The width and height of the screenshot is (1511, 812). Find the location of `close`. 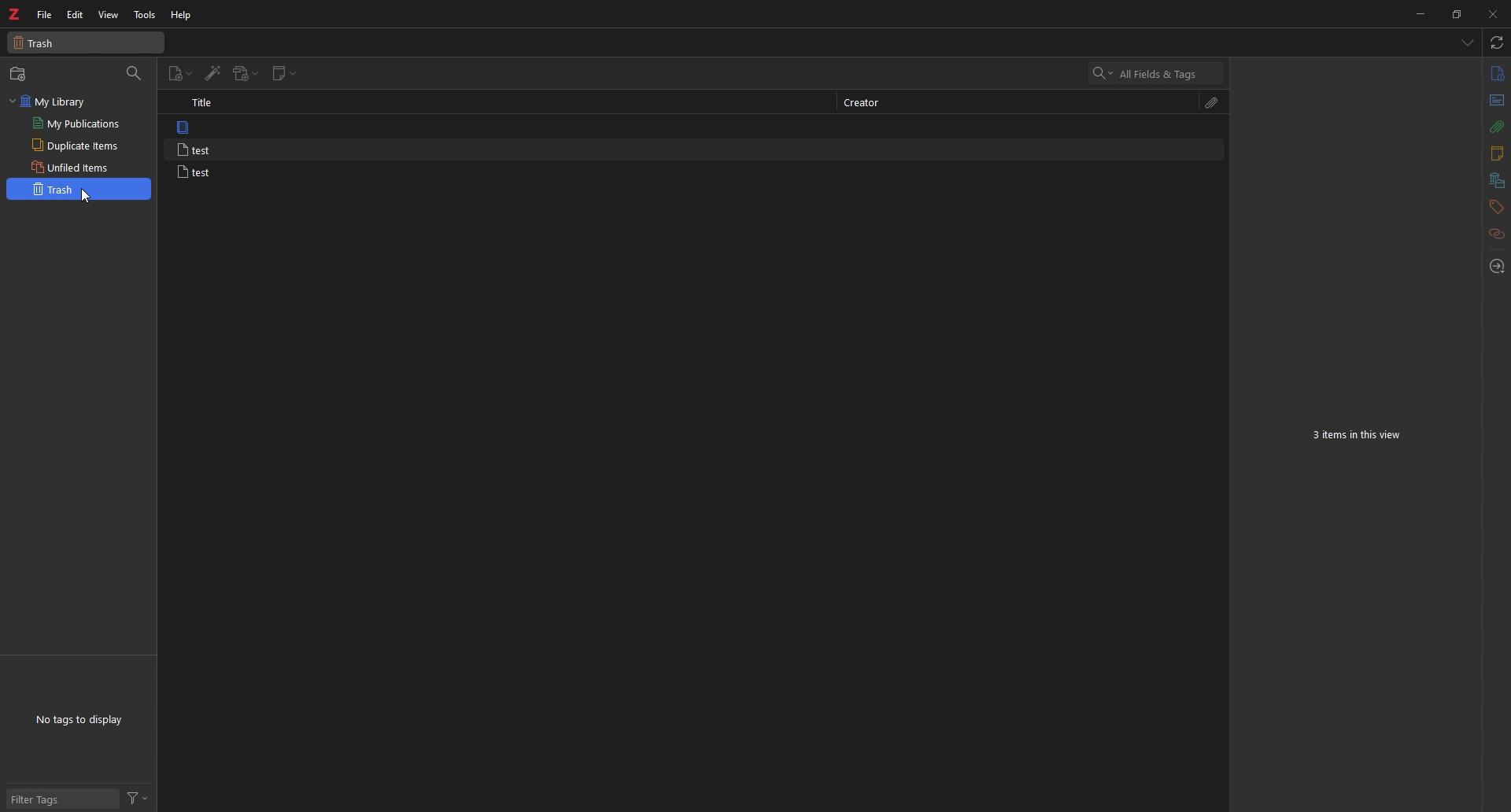

close is located at coordinates (1491, 14).